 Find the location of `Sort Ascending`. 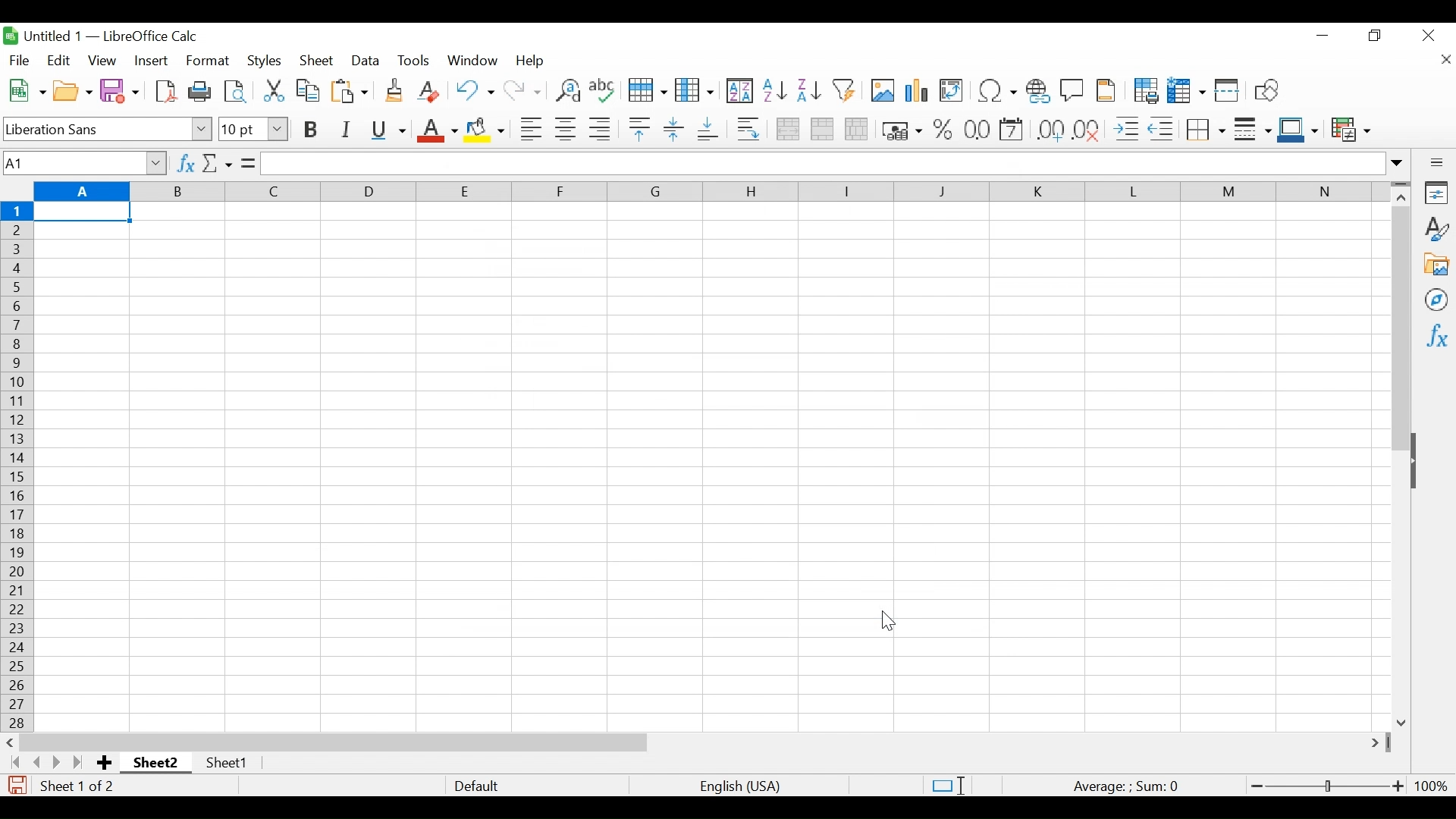

Sort Ascending is located at coordinates (774, 89).